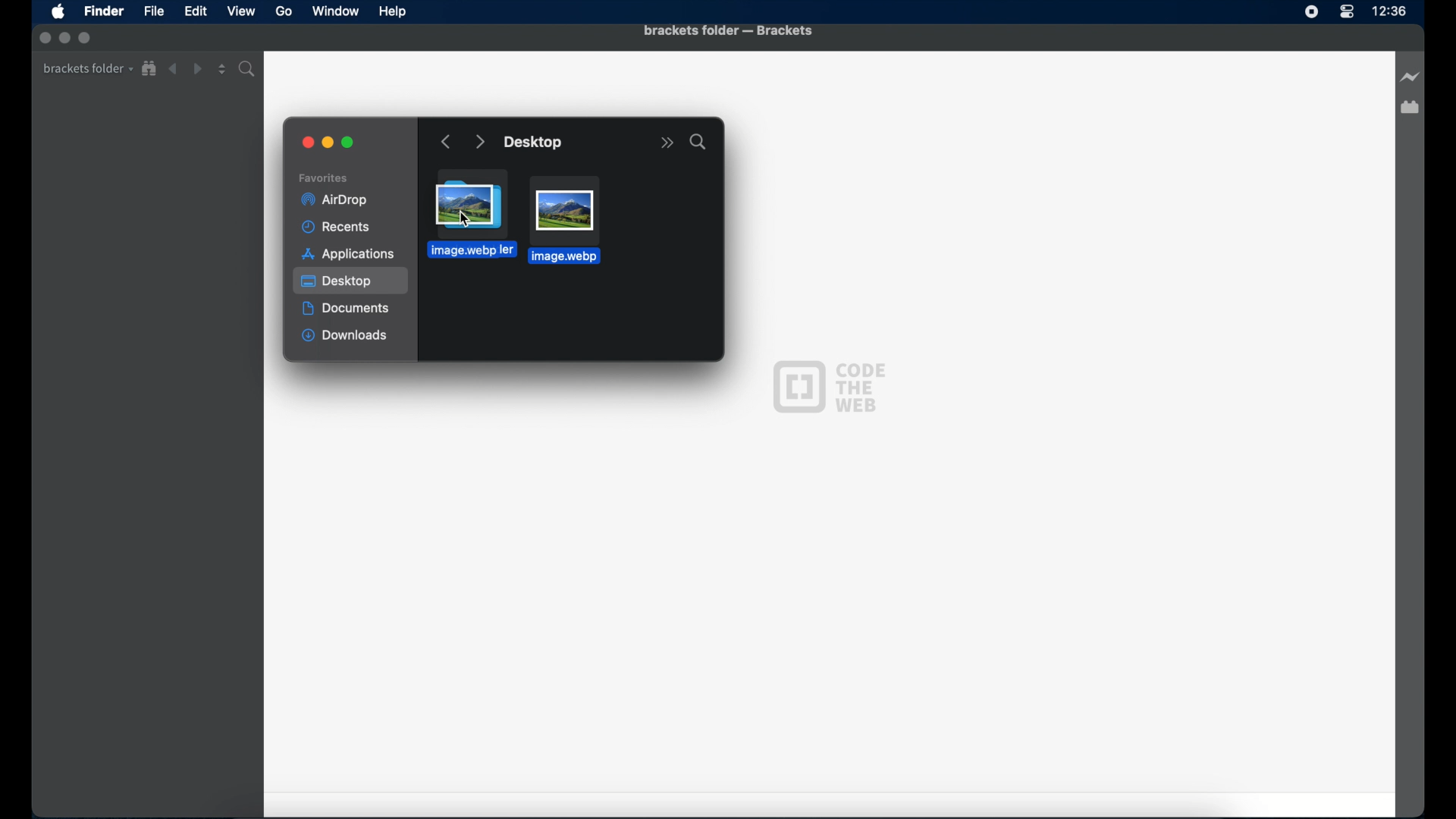 Image resolution: width=1456 pixels, height=819 pixels. I want to click on close, so click(309, 143).